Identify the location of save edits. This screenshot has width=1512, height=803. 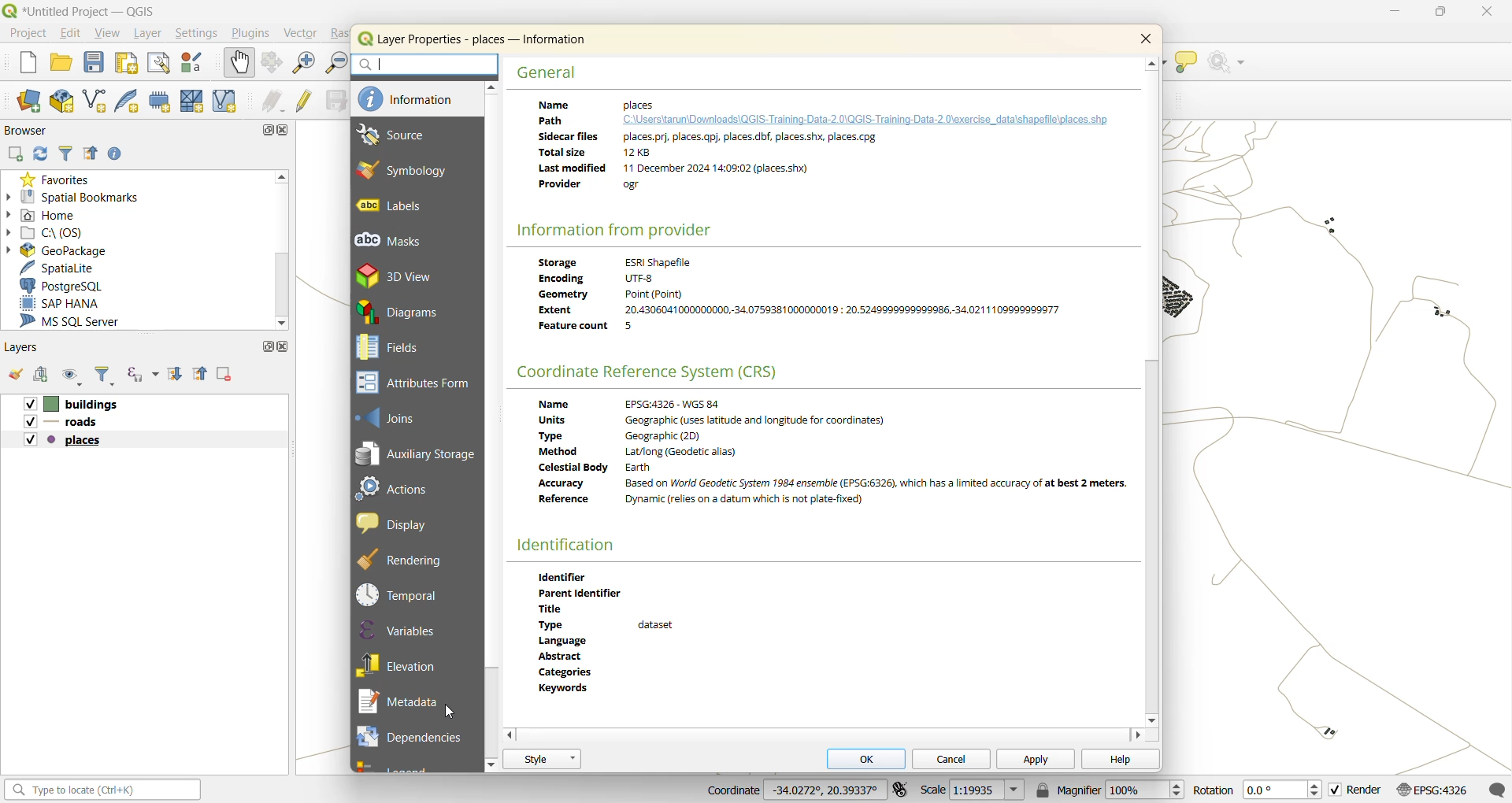
(331, 102).